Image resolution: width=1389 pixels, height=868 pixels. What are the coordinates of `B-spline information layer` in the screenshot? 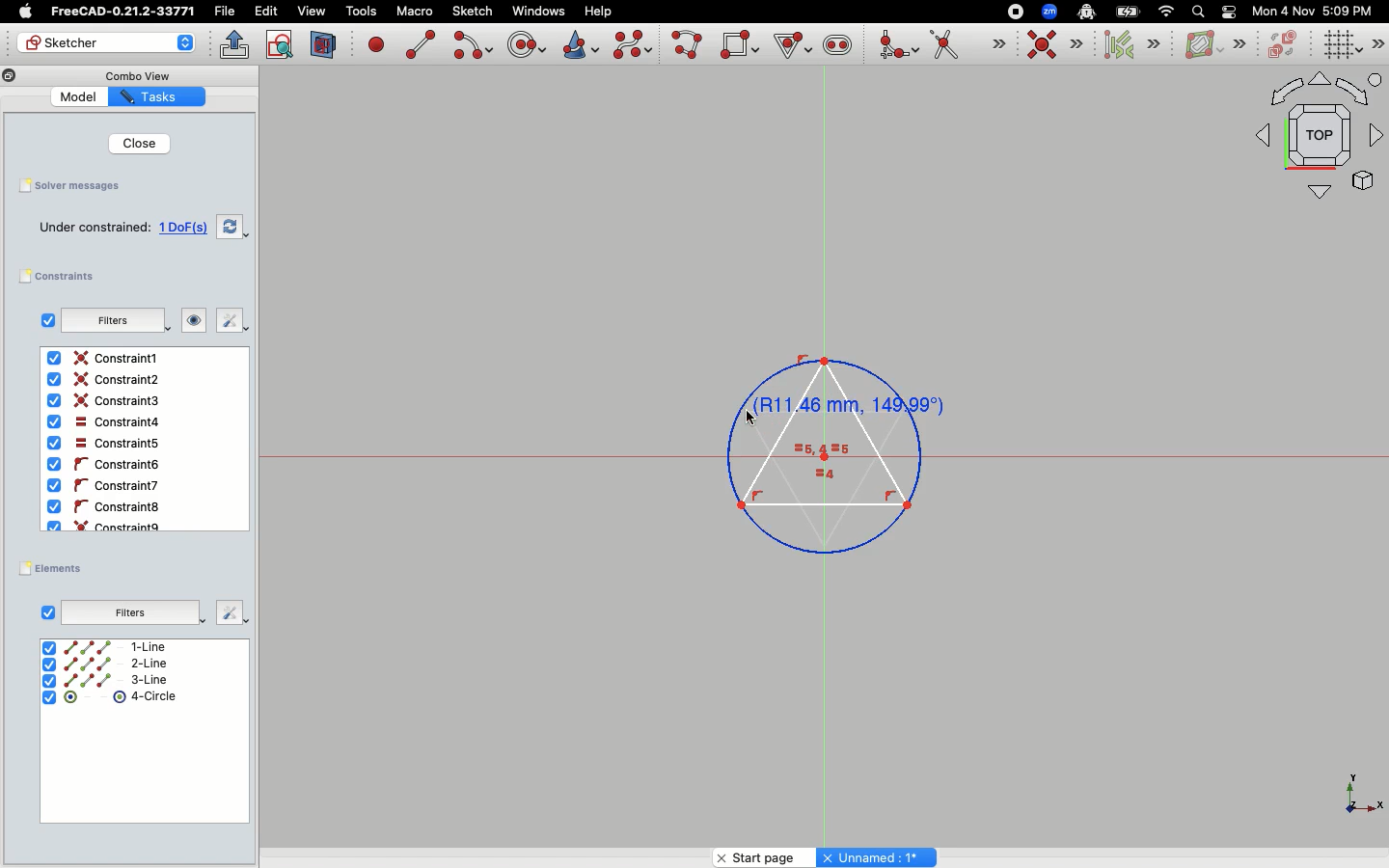 It's located at (1213, 45).